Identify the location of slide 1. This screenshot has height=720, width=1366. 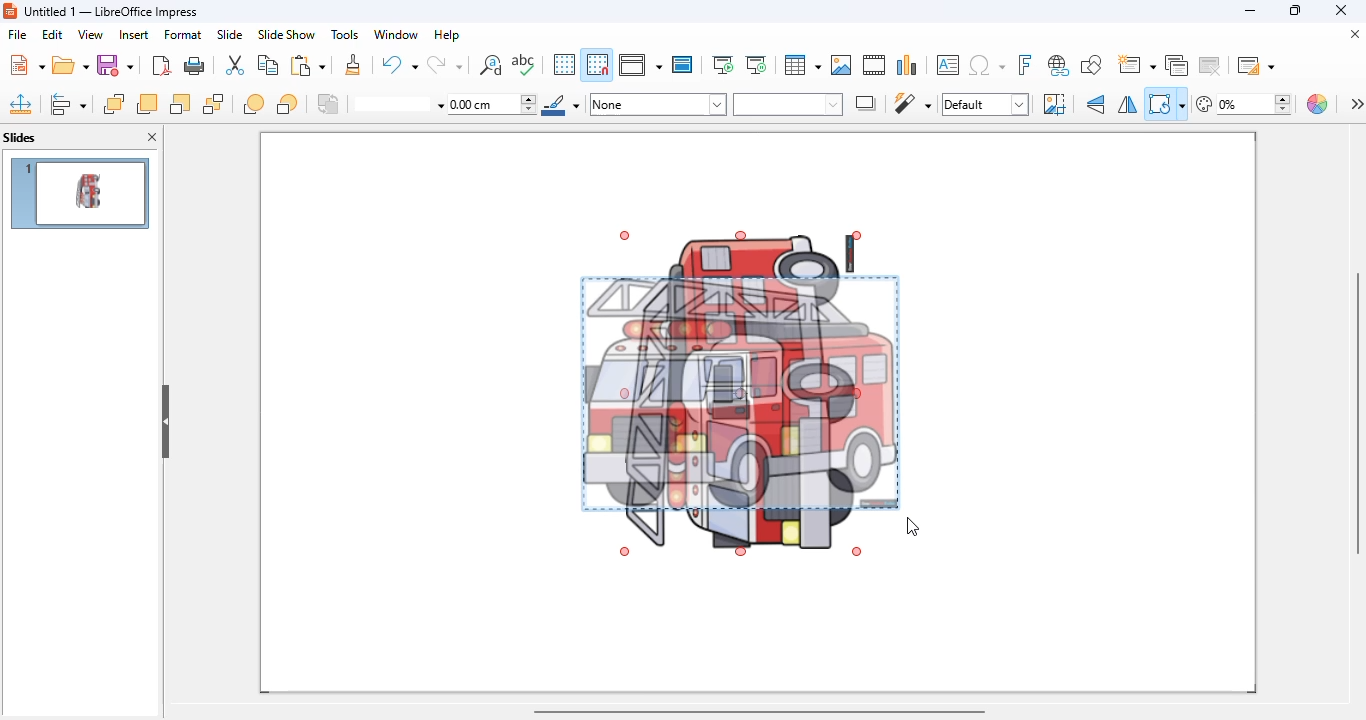
(79, 193).